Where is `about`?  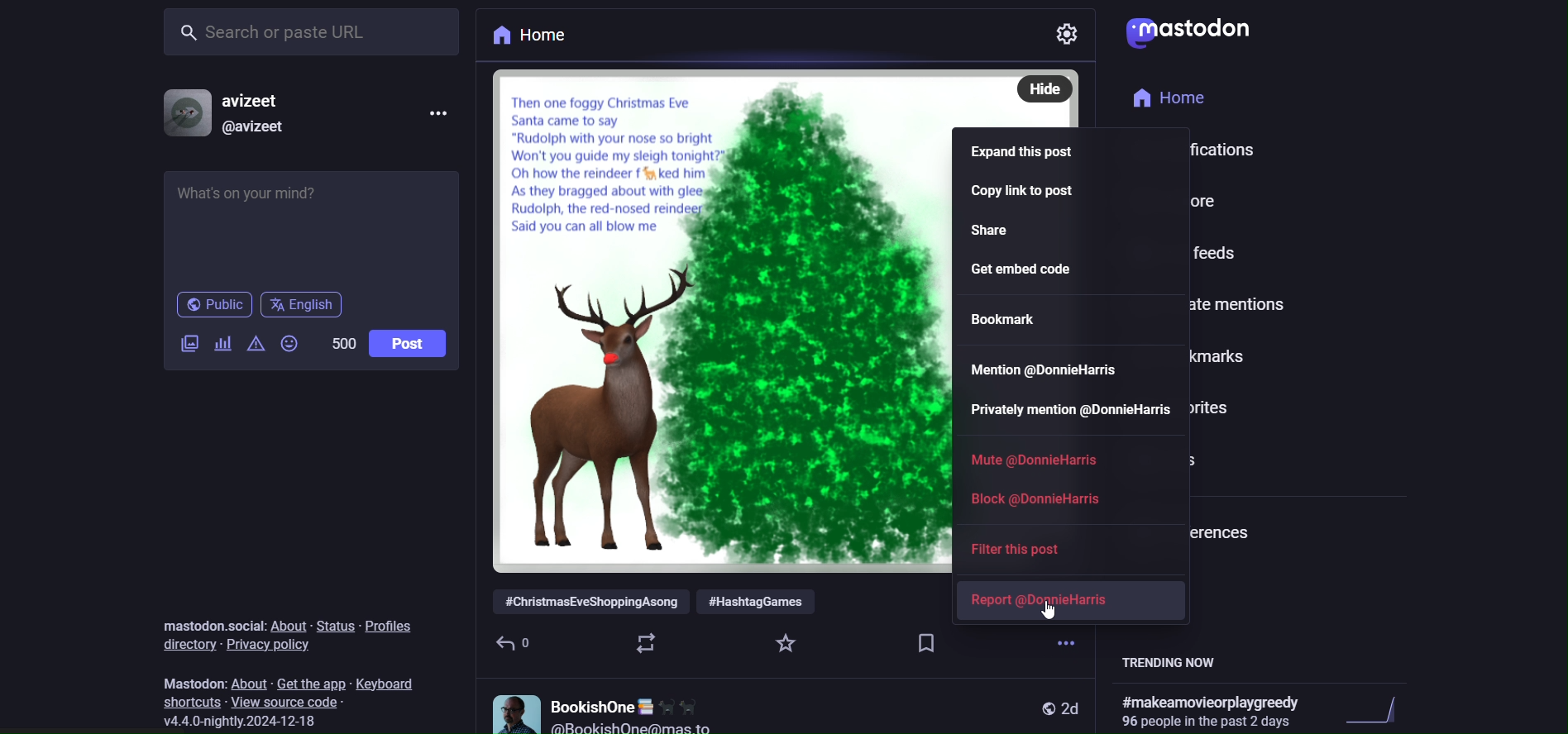 about is located at coordinates (290, 626).